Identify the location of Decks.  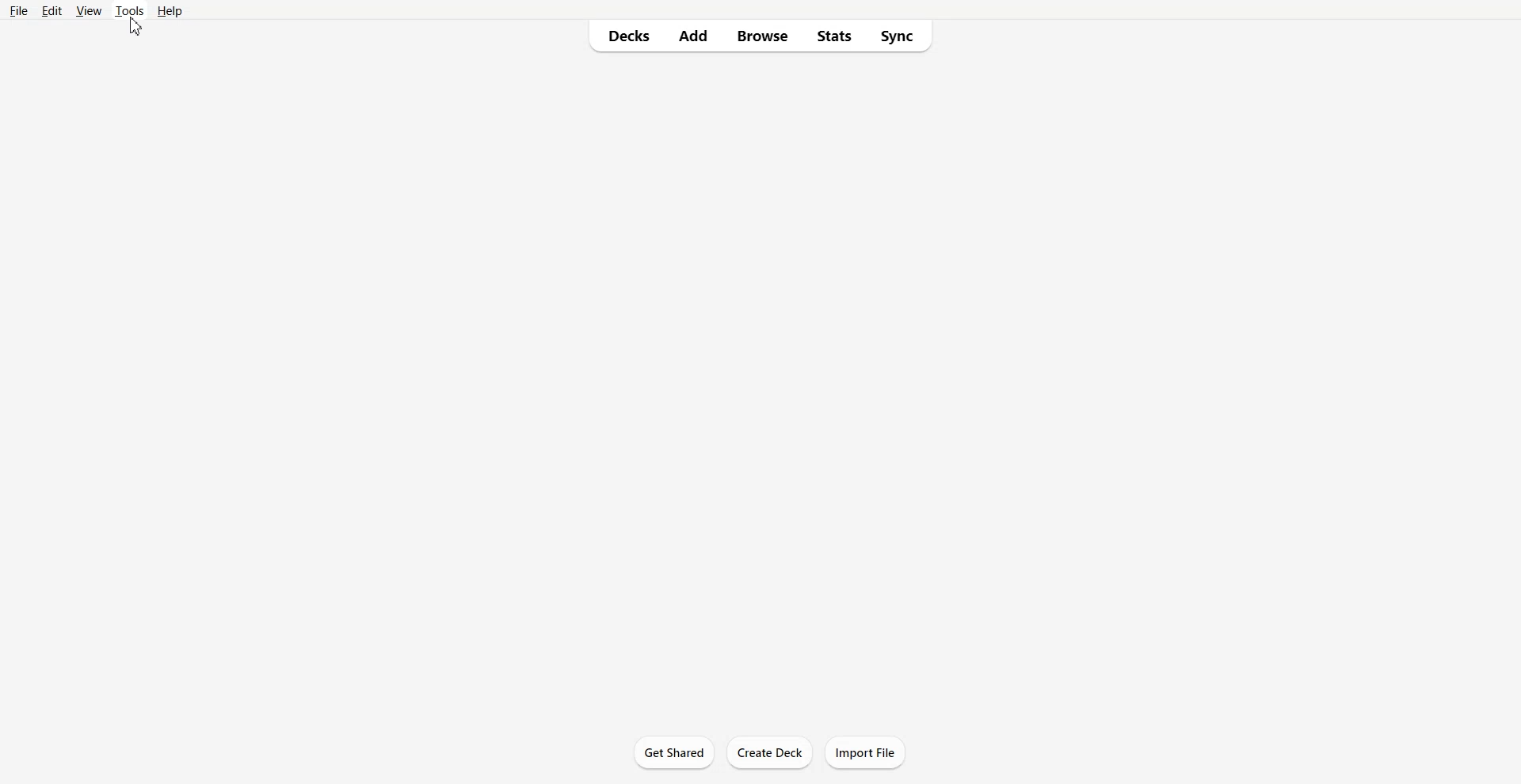
(624, 36).